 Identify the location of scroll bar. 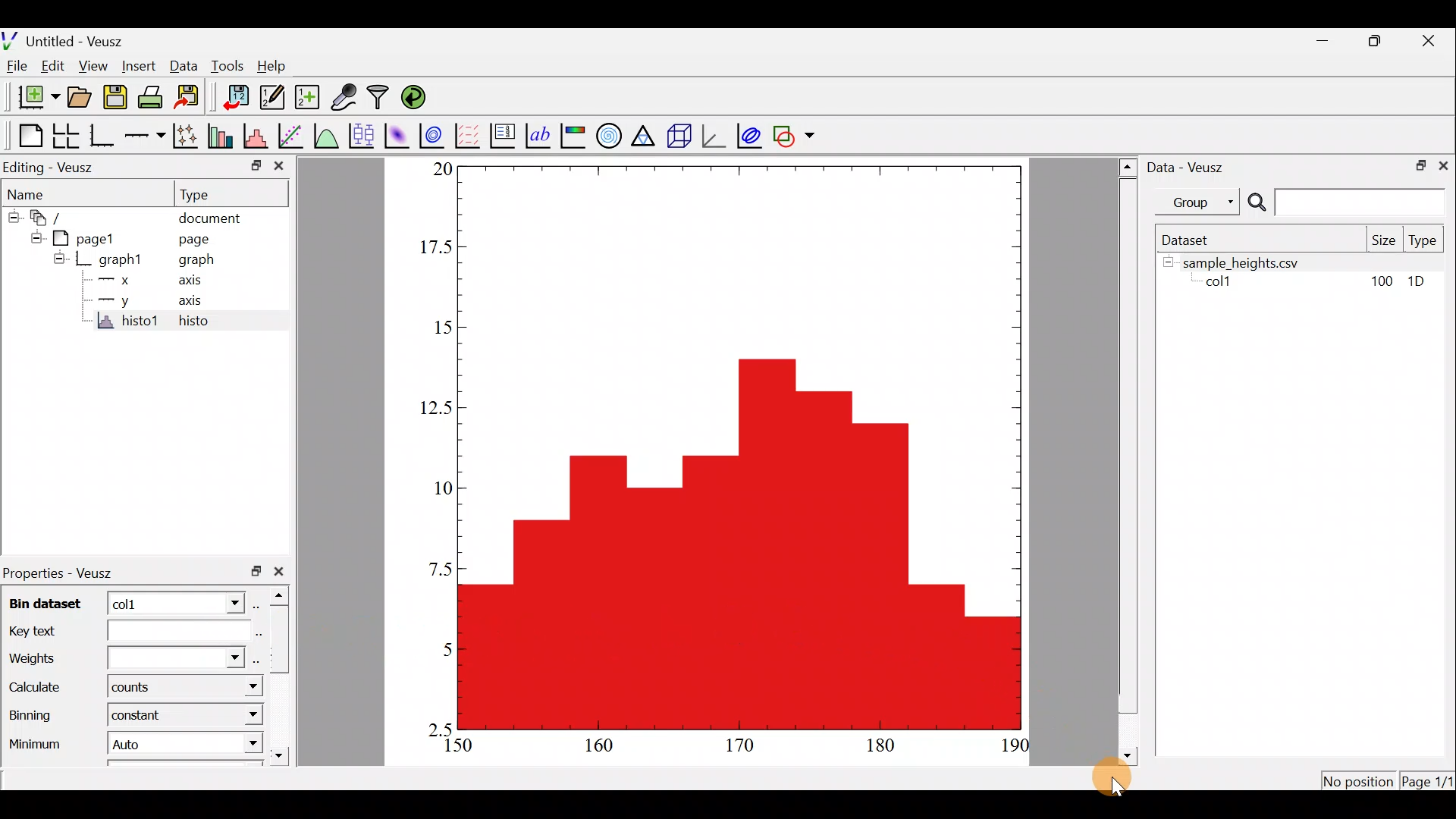
(281, 676).